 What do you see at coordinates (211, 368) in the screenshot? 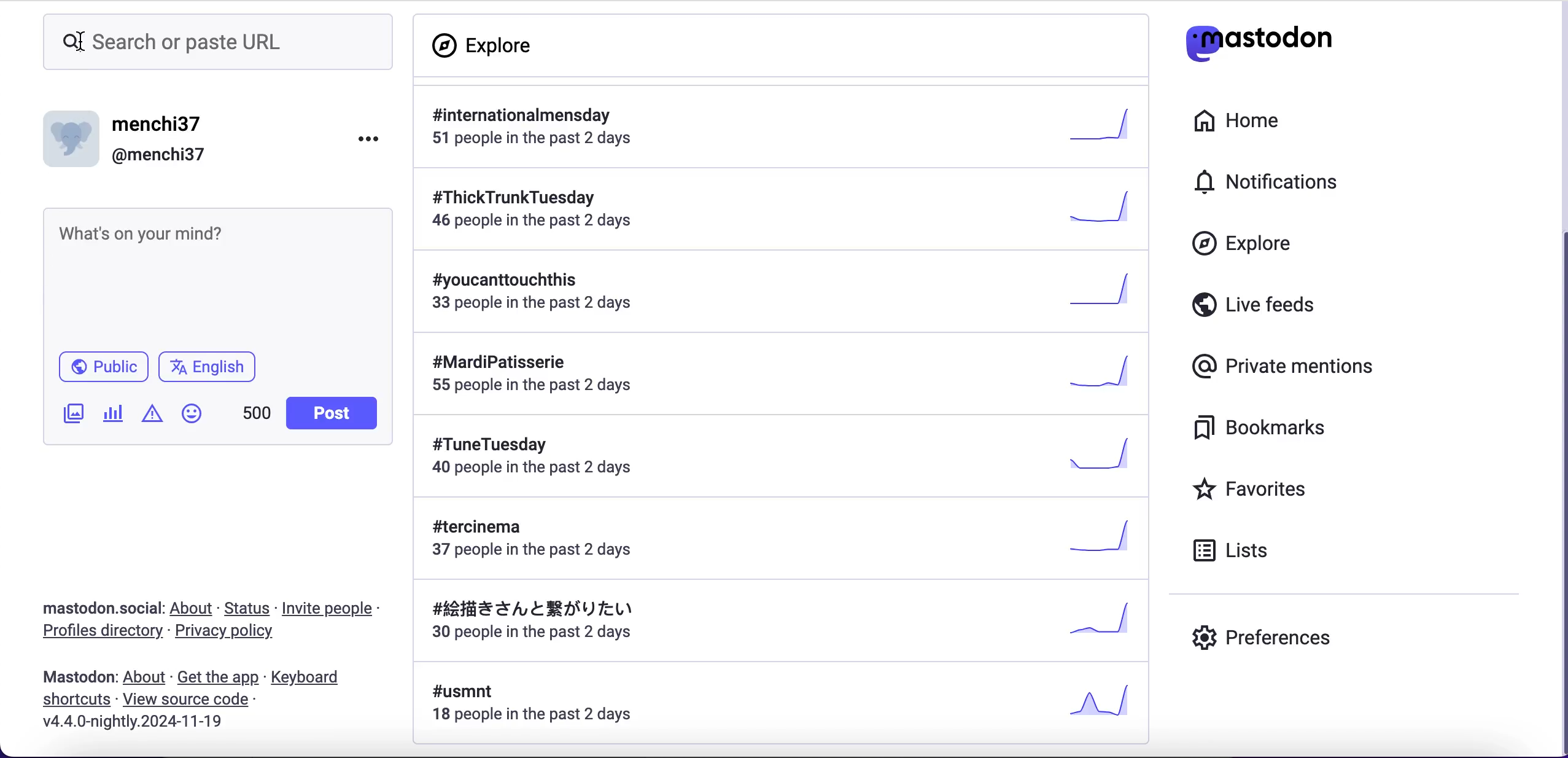
I see `english` at bounding box center [211, 368].